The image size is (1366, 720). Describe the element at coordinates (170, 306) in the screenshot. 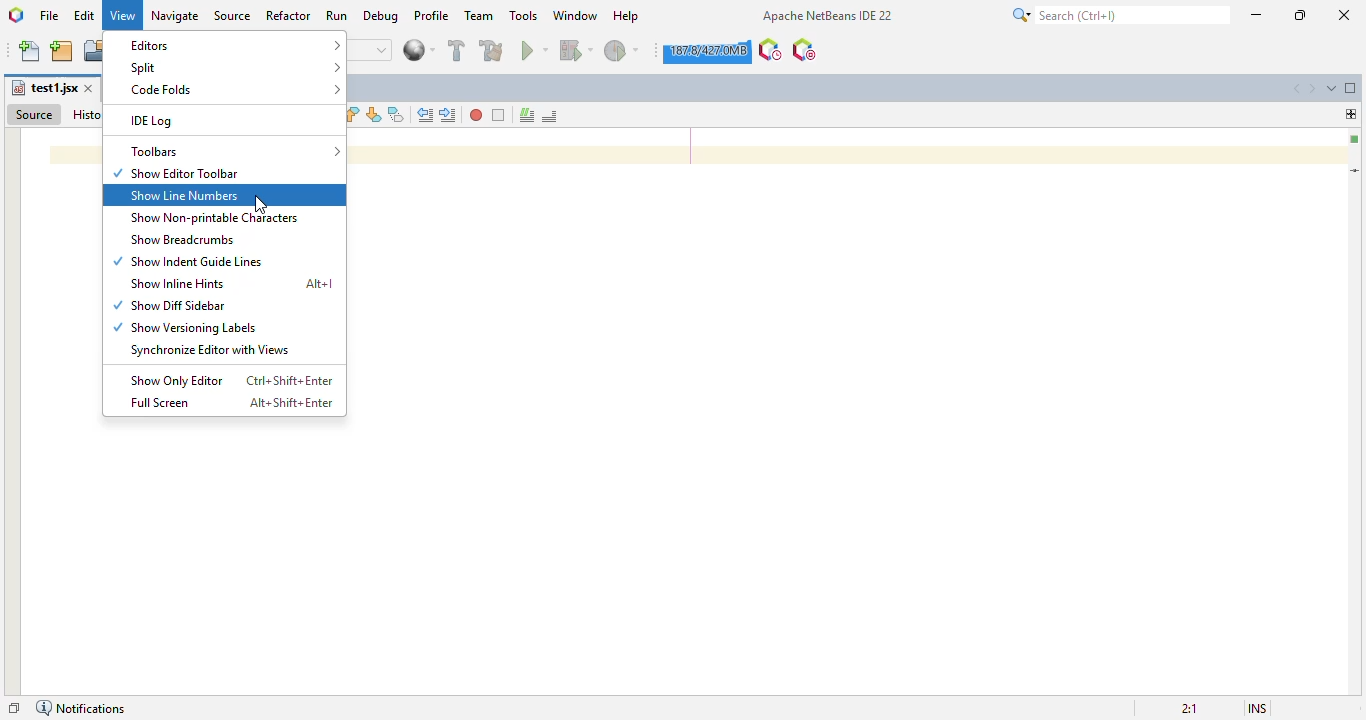

I see `show diff sidebar` at that location.